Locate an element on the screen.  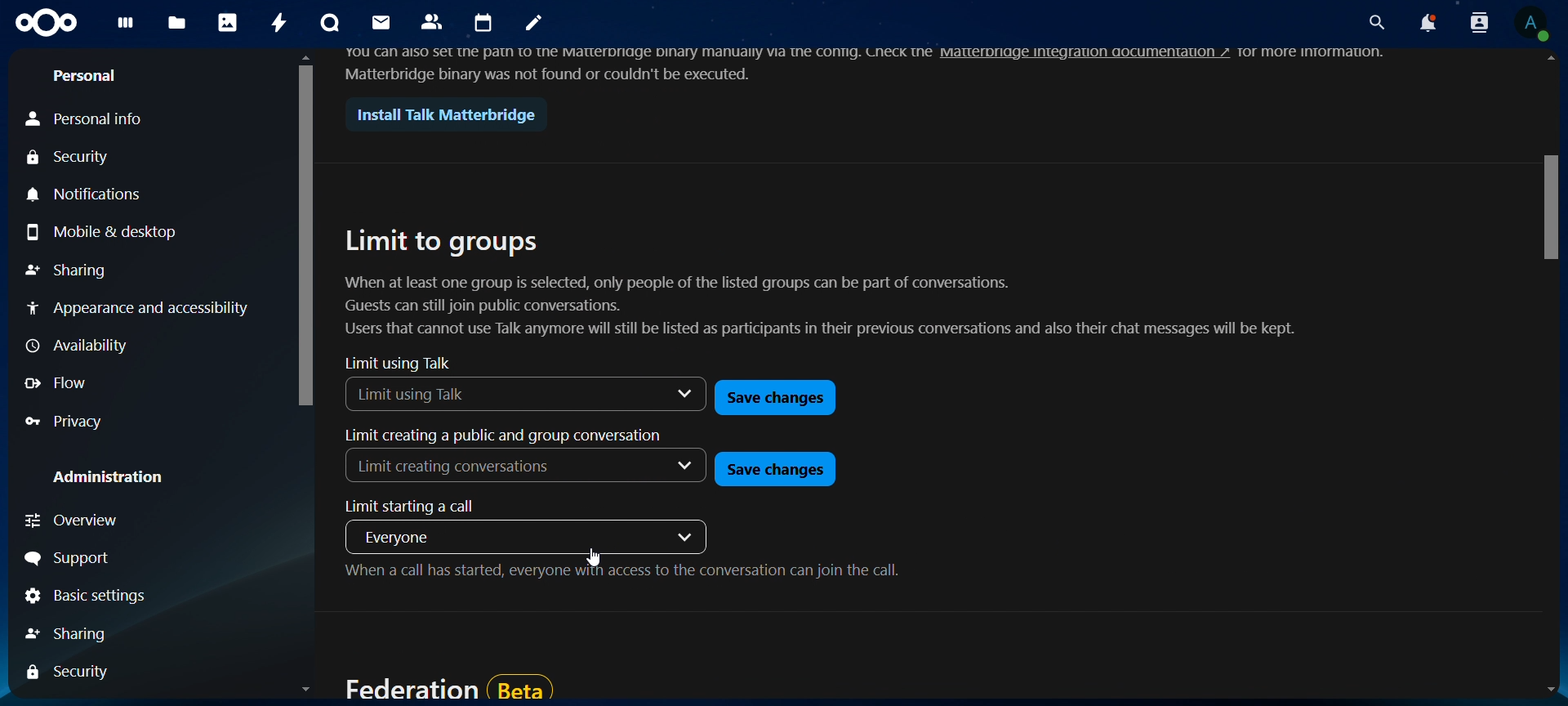
Flow is located at coordinates (62, 386).